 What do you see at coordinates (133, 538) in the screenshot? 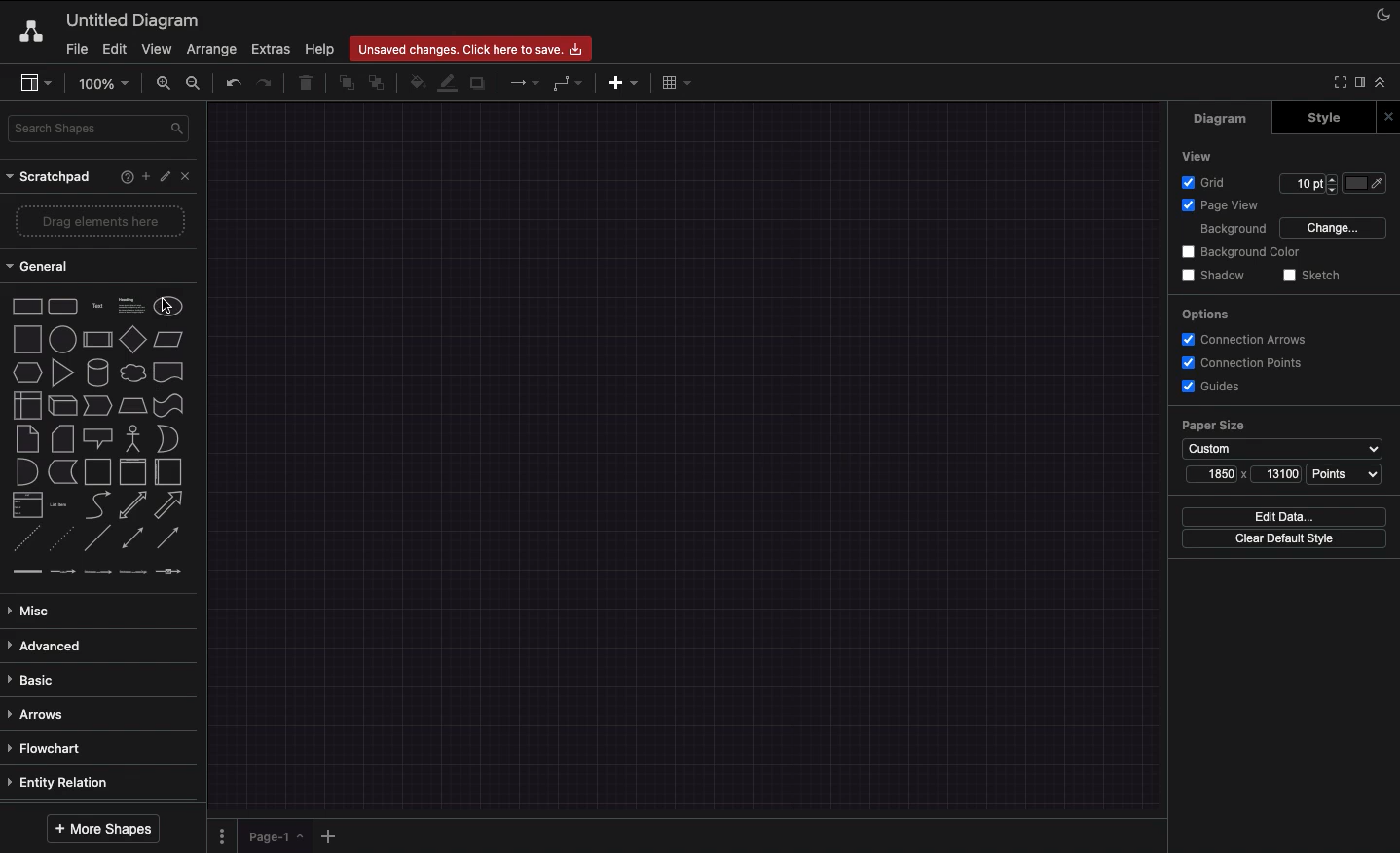
I see `Bidirectional connector` at bounding box center [133, 538].